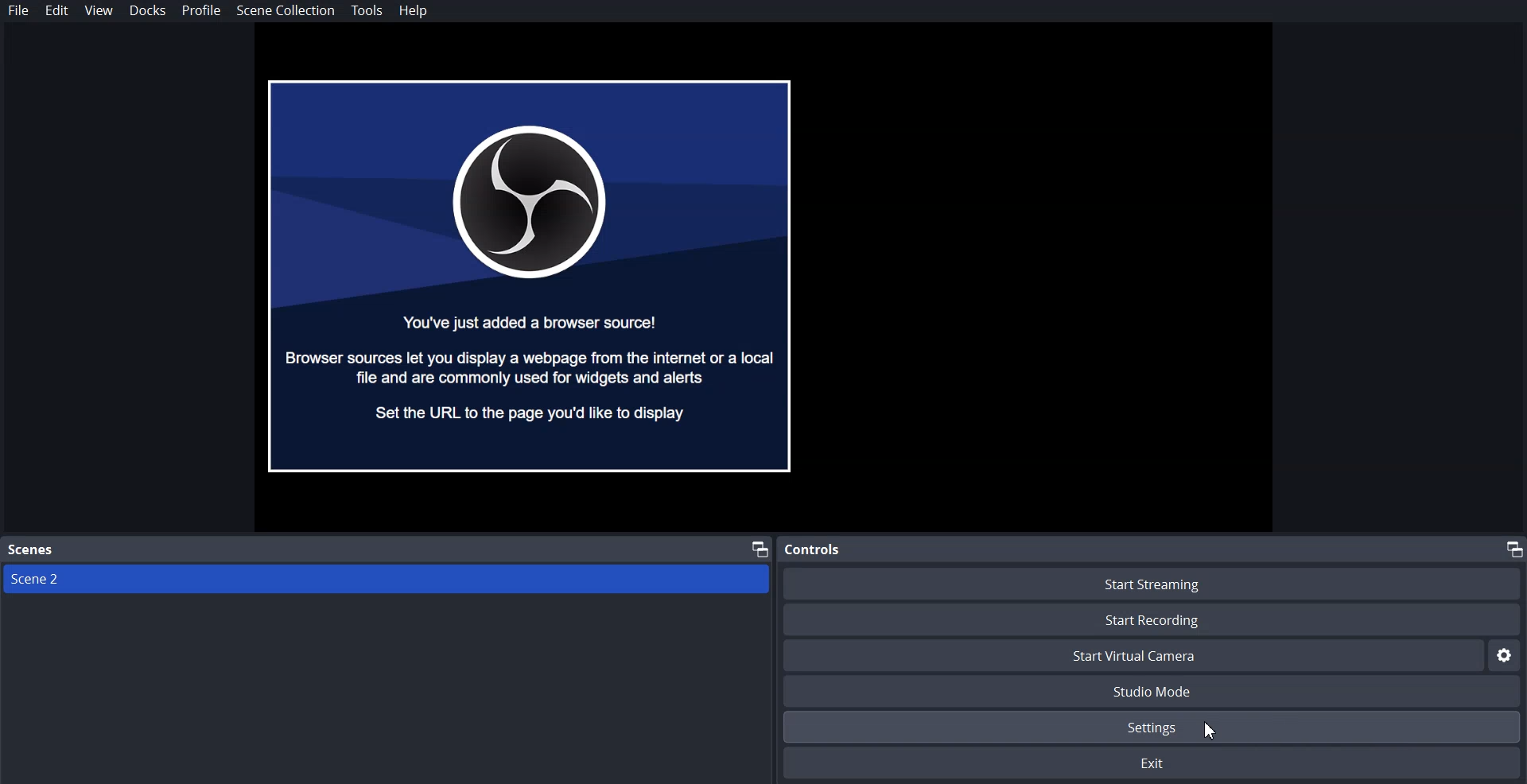 The width and height of the screenshot is (1527, 784). I want to click on Profile, so click(201, 11).